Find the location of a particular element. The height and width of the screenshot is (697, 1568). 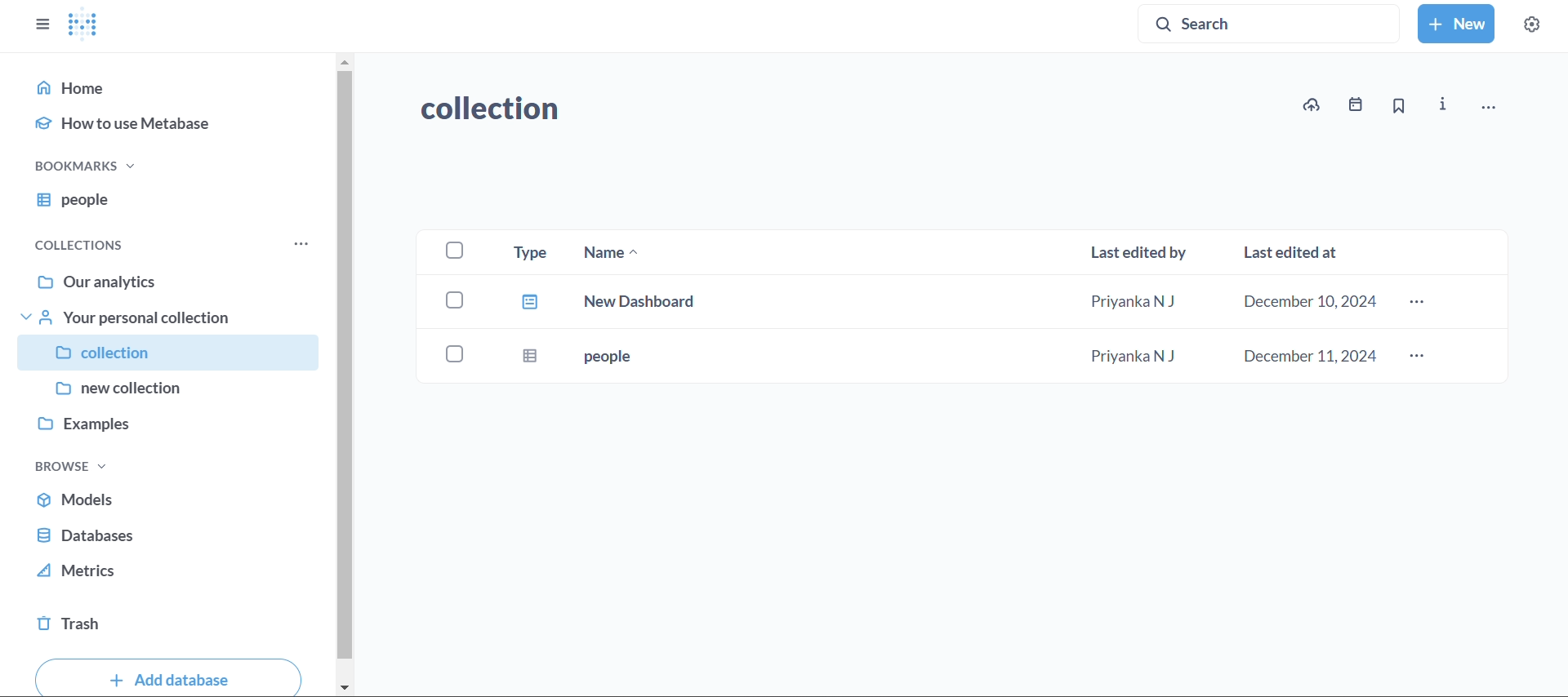

last edited by is located at coordinates (1138, 254).